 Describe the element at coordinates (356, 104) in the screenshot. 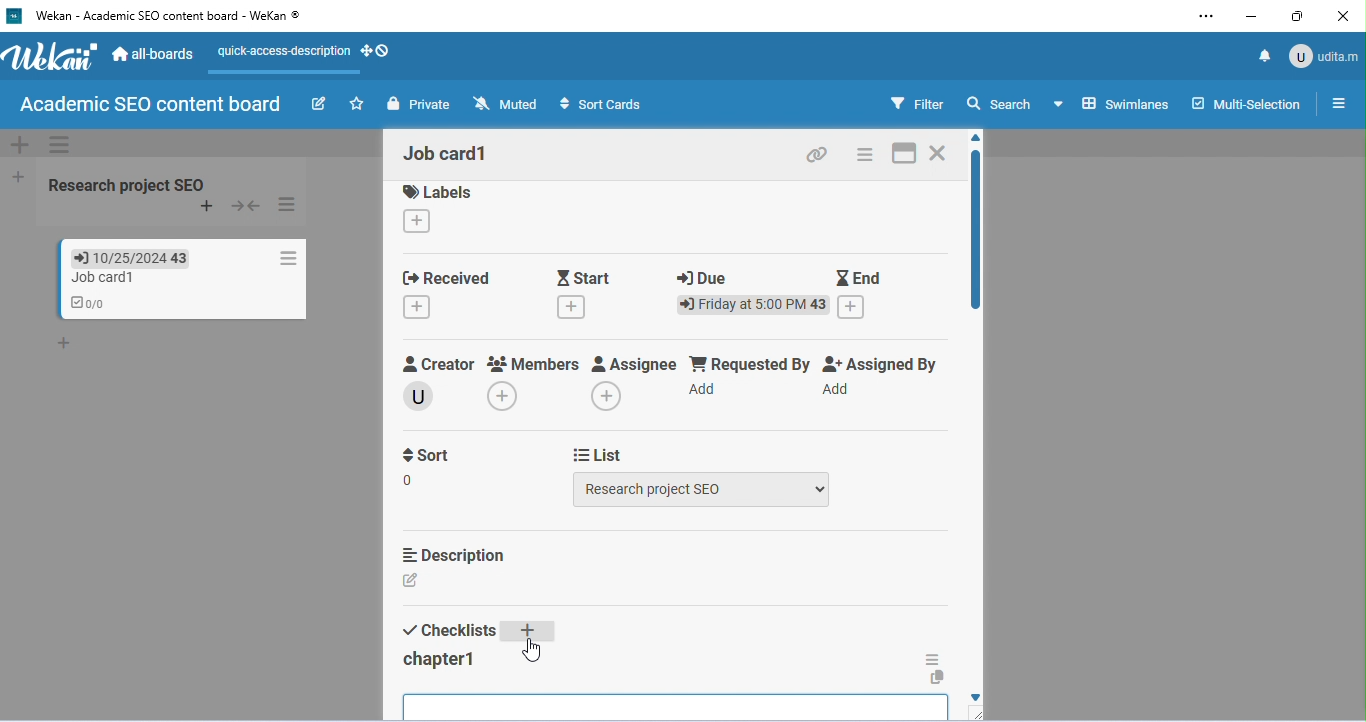

I see `click to star this board` at that location.